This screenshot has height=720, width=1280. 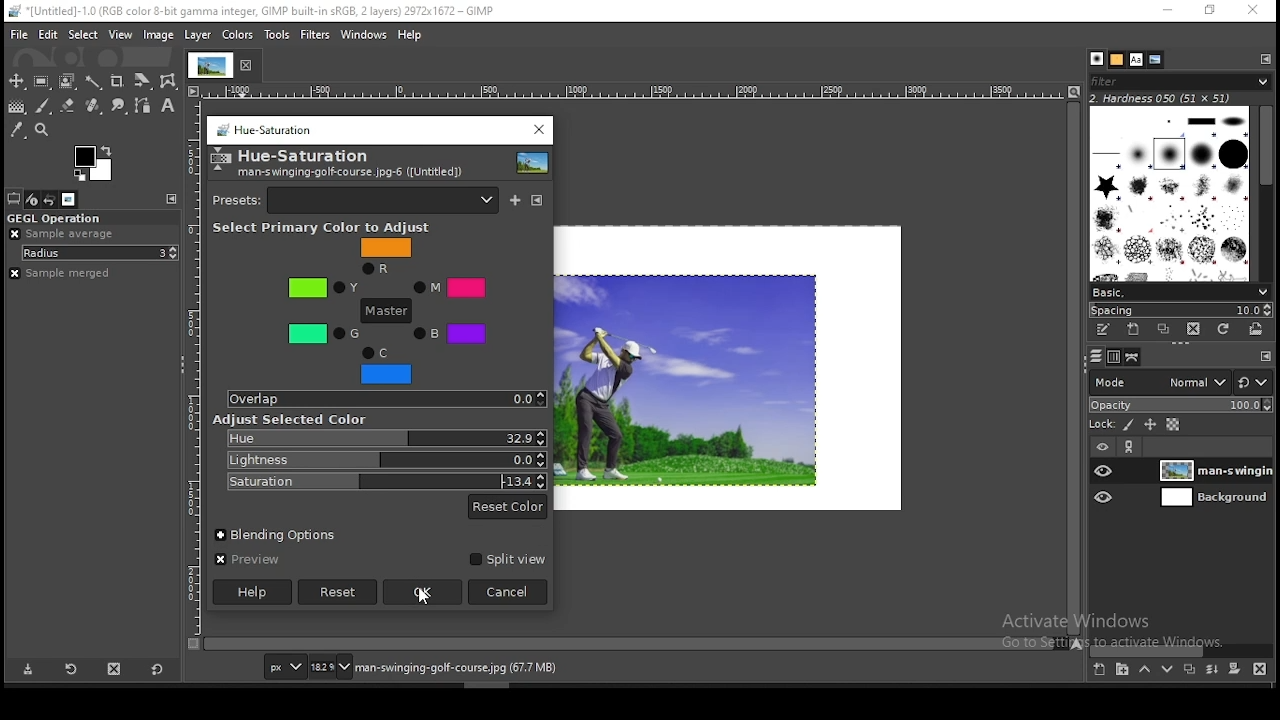 What do you see at coordinates (510, 591) in the screenshot?
I see `cancel` at bounding box center [510, 591].